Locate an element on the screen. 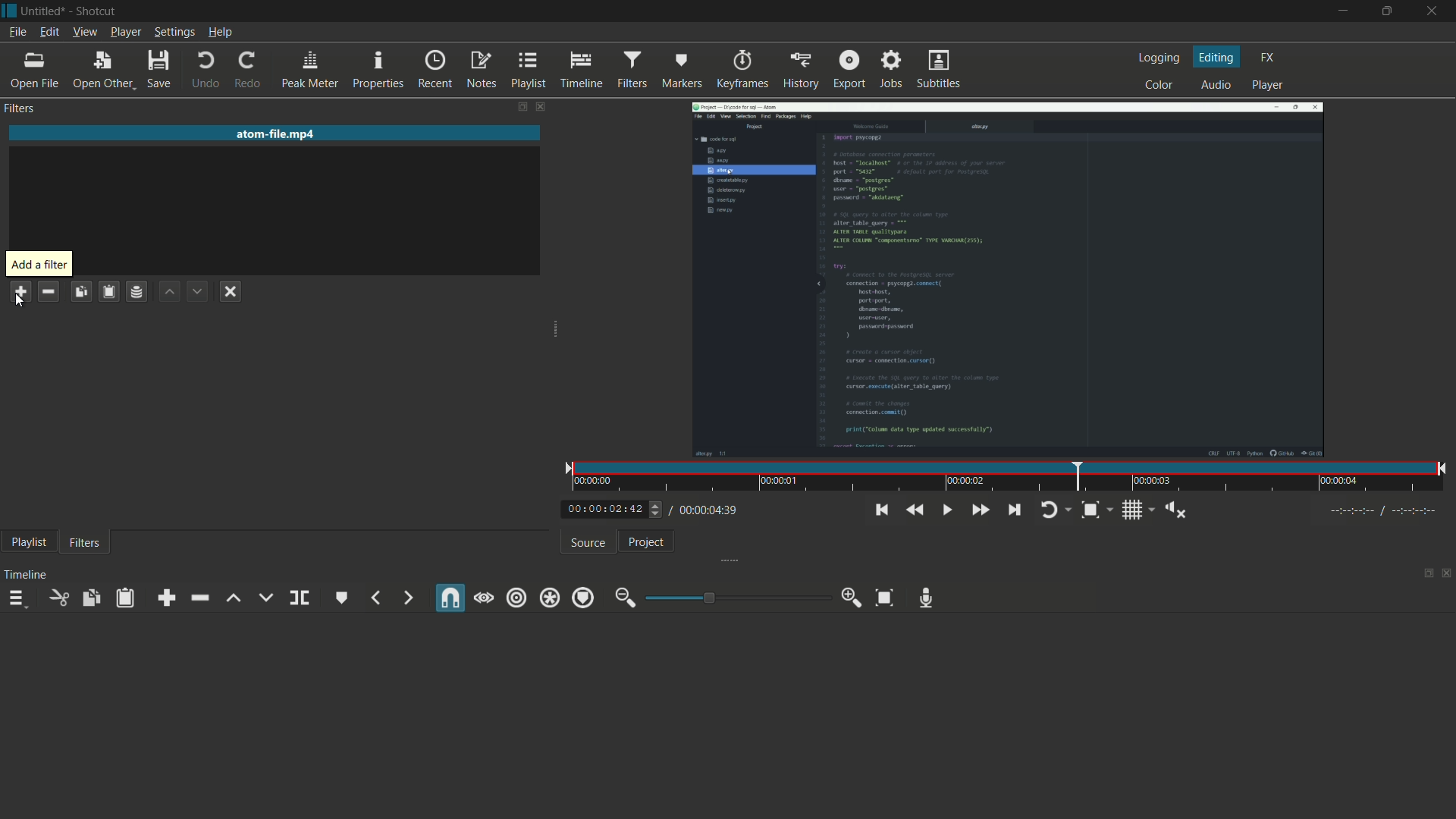 This screenshot has width=1456, height=819. history is located at coordinates (800, 69).